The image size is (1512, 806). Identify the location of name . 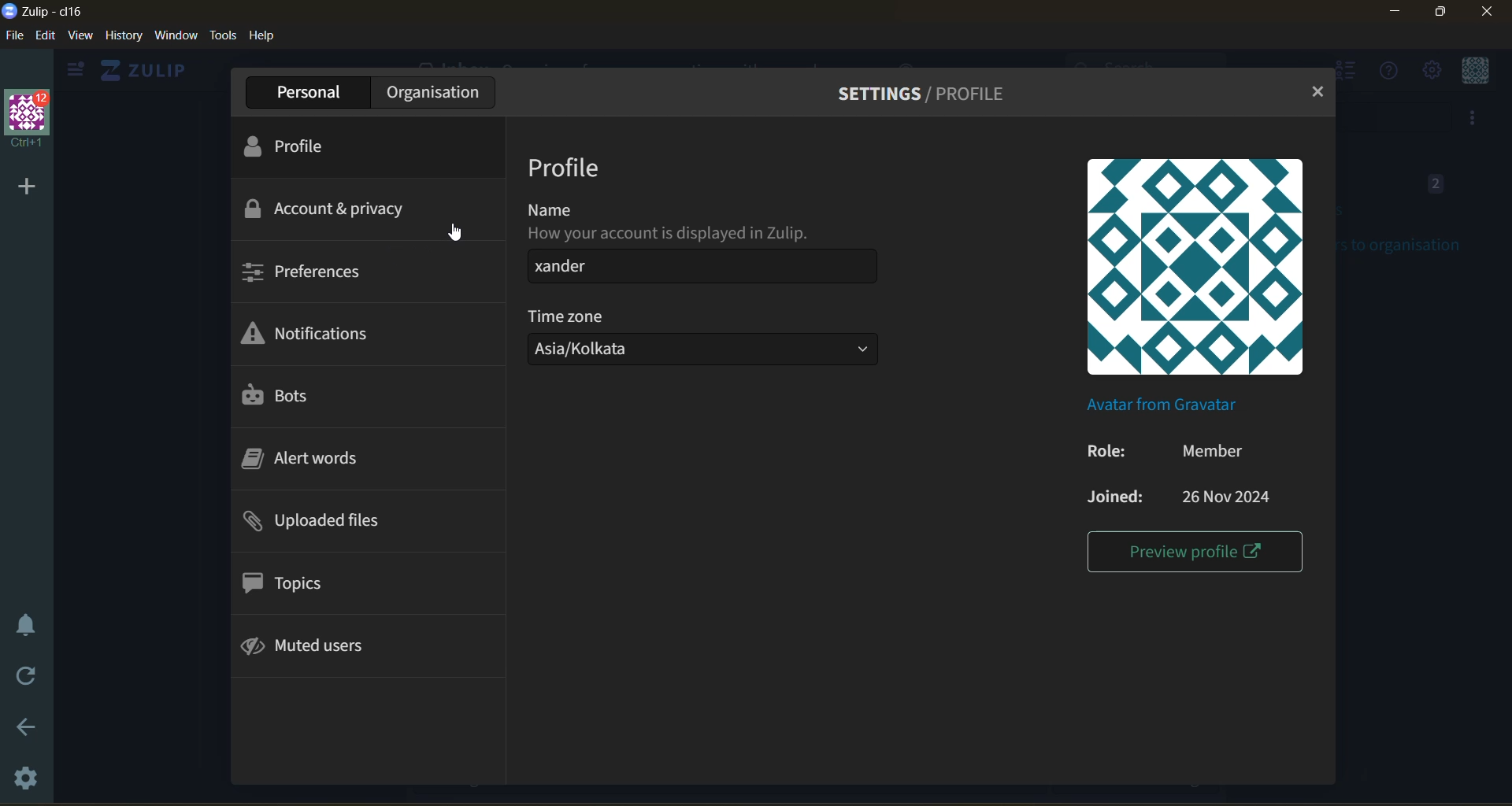
(708, 222).